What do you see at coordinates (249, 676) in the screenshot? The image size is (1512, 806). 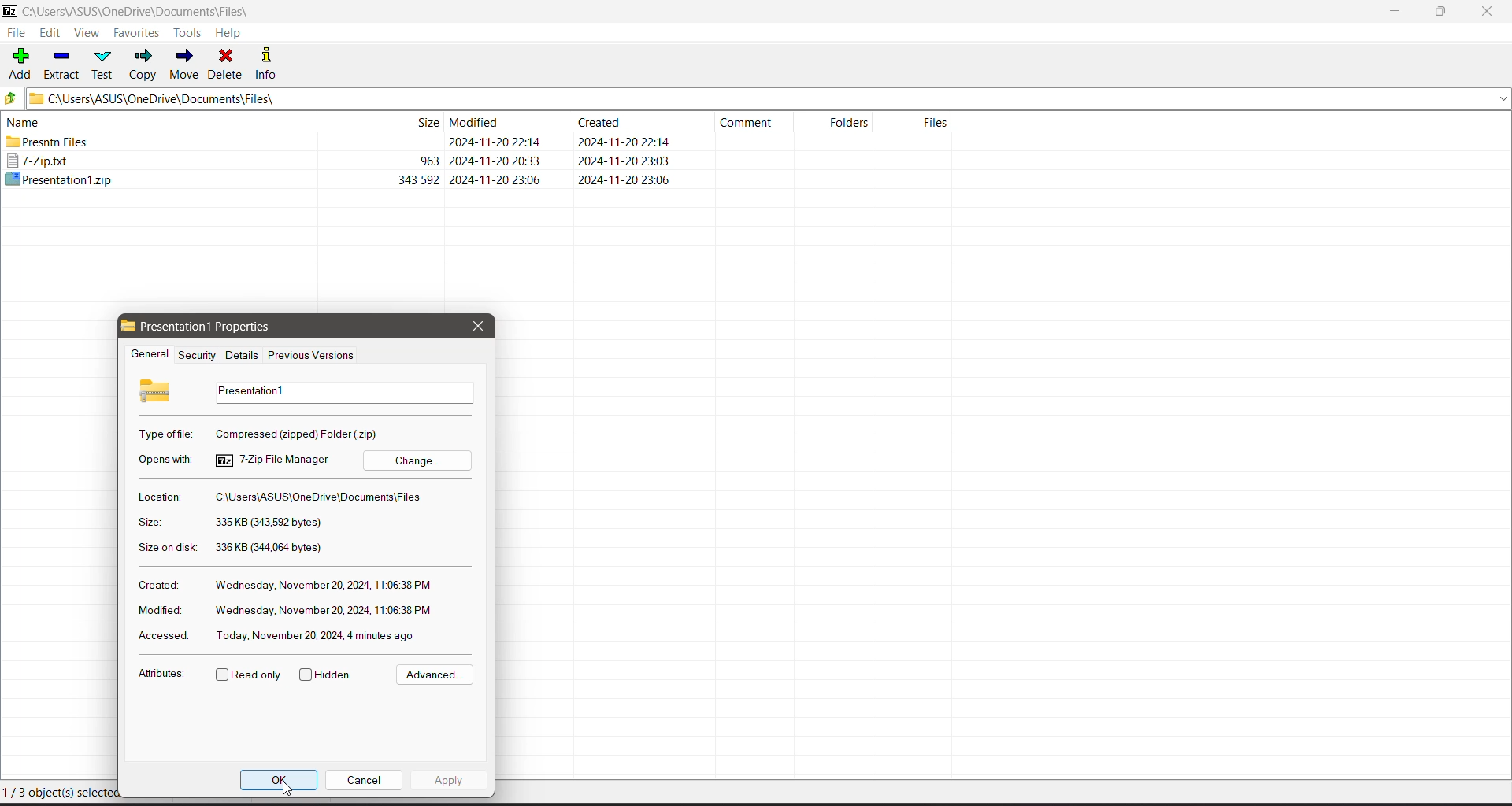 I see `Read-only - Click to enable/disable` at bounding box center [249, 676].